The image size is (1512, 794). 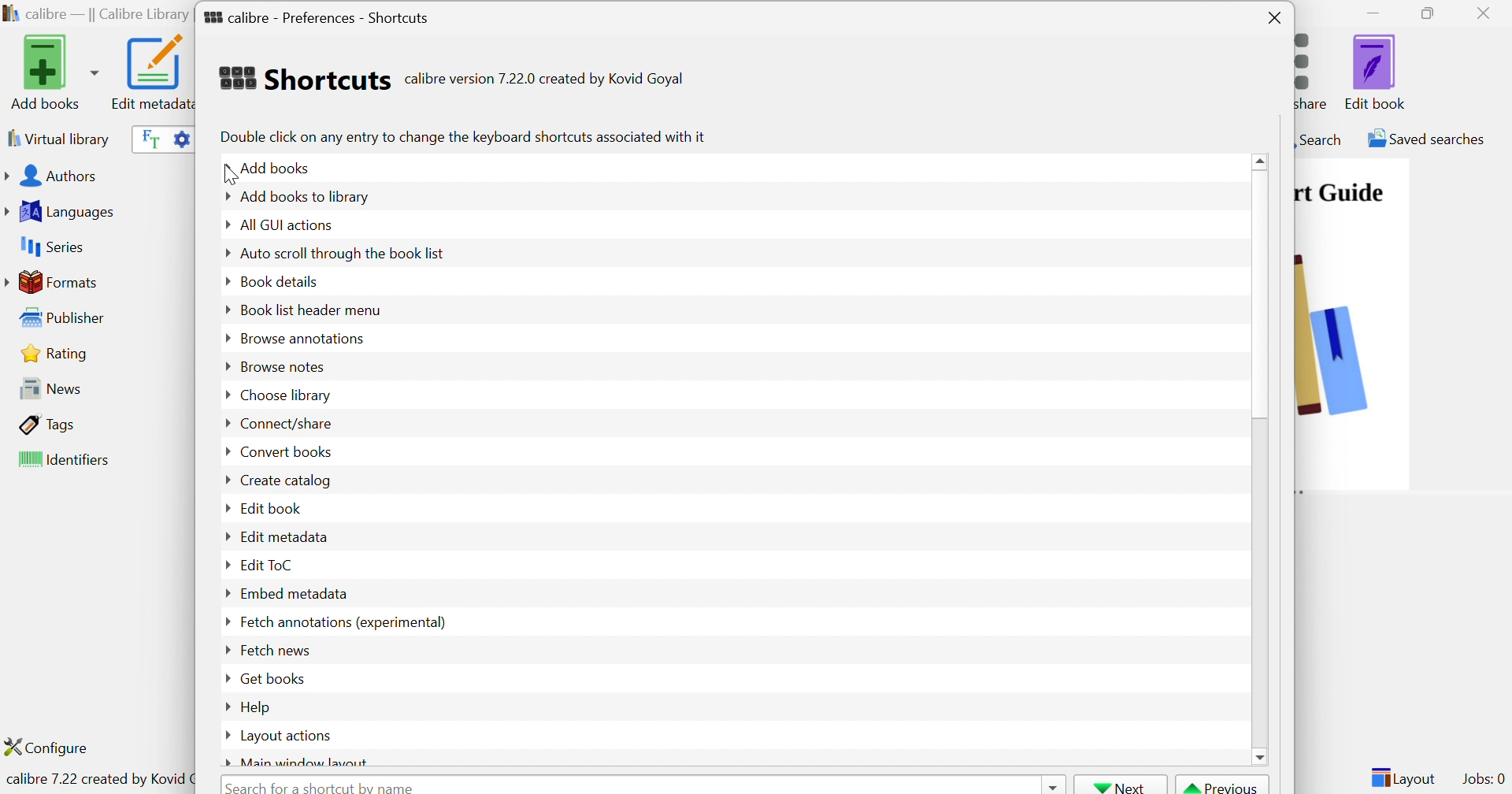 I want to click on Publisher, so click(x=66, y=318).